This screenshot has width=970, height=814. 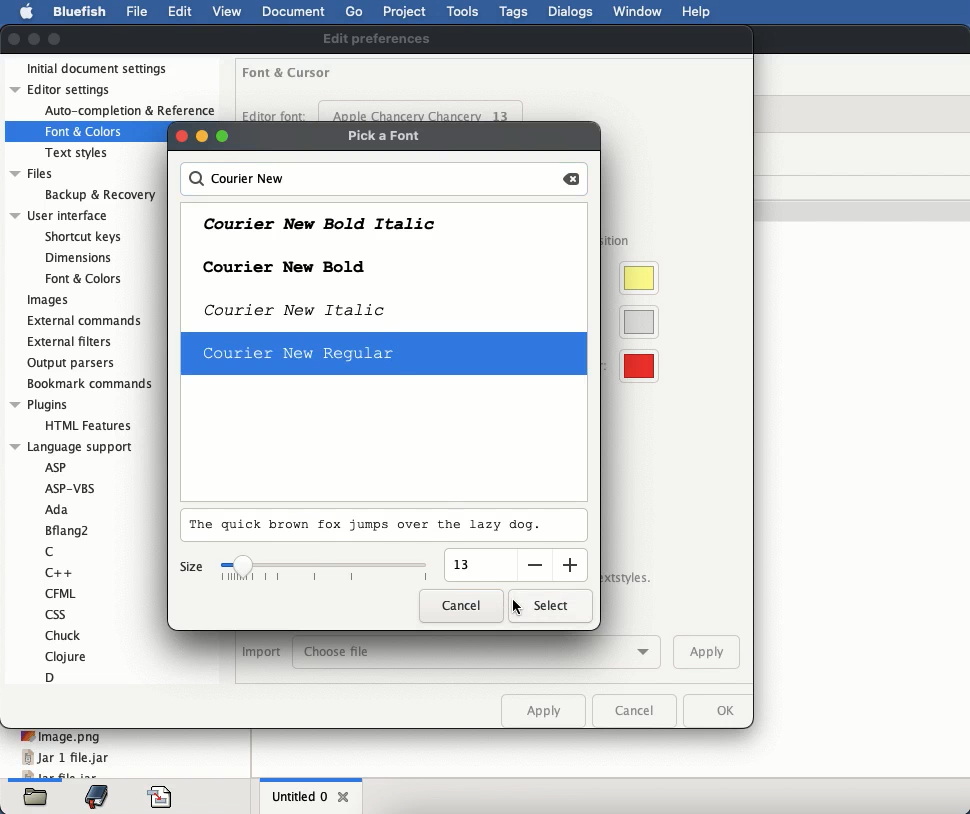 What do you see at coordinates (549, 603) in the screenshot?
I see `select` at bounding box center [549, 603].